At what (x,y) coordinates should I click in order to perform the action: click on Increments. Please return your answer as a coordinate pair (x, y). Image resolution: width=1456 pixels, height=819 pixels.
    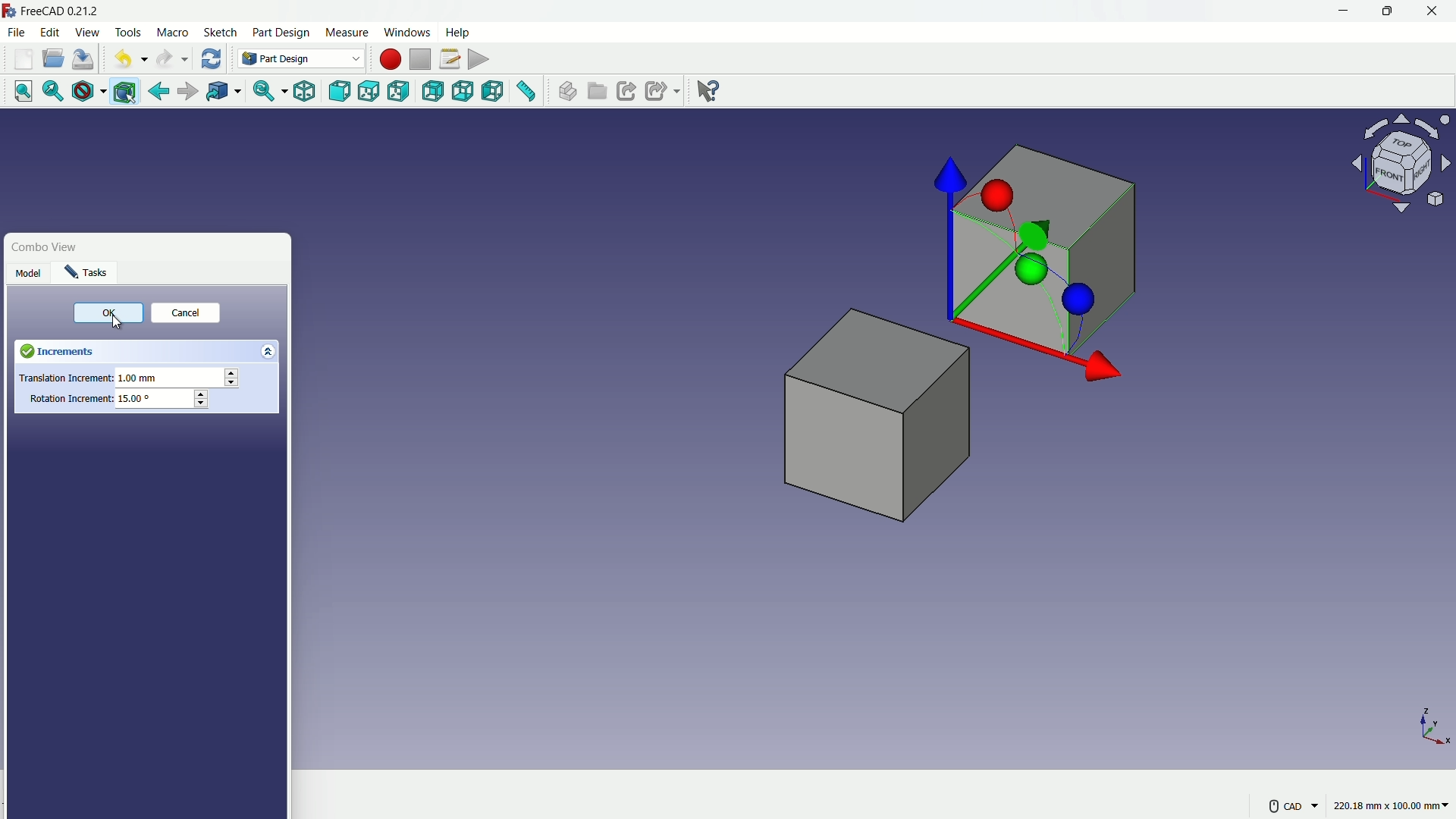
    Looking at the image, I should click on (93, 350).